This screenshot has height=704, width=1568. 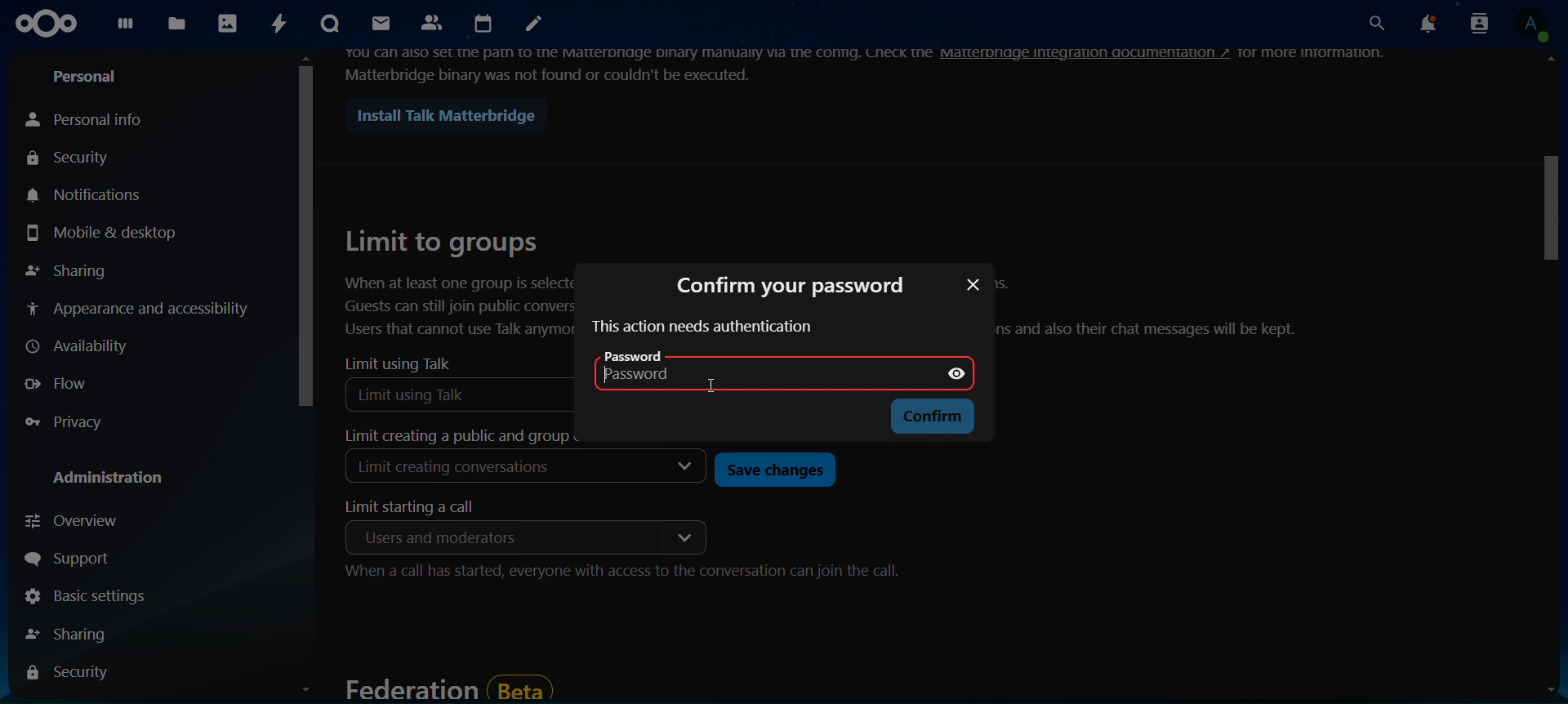 What do you see at coordinates (1373, 25) in the screenshot?
I see `search` at bounding box center [1373, 25].